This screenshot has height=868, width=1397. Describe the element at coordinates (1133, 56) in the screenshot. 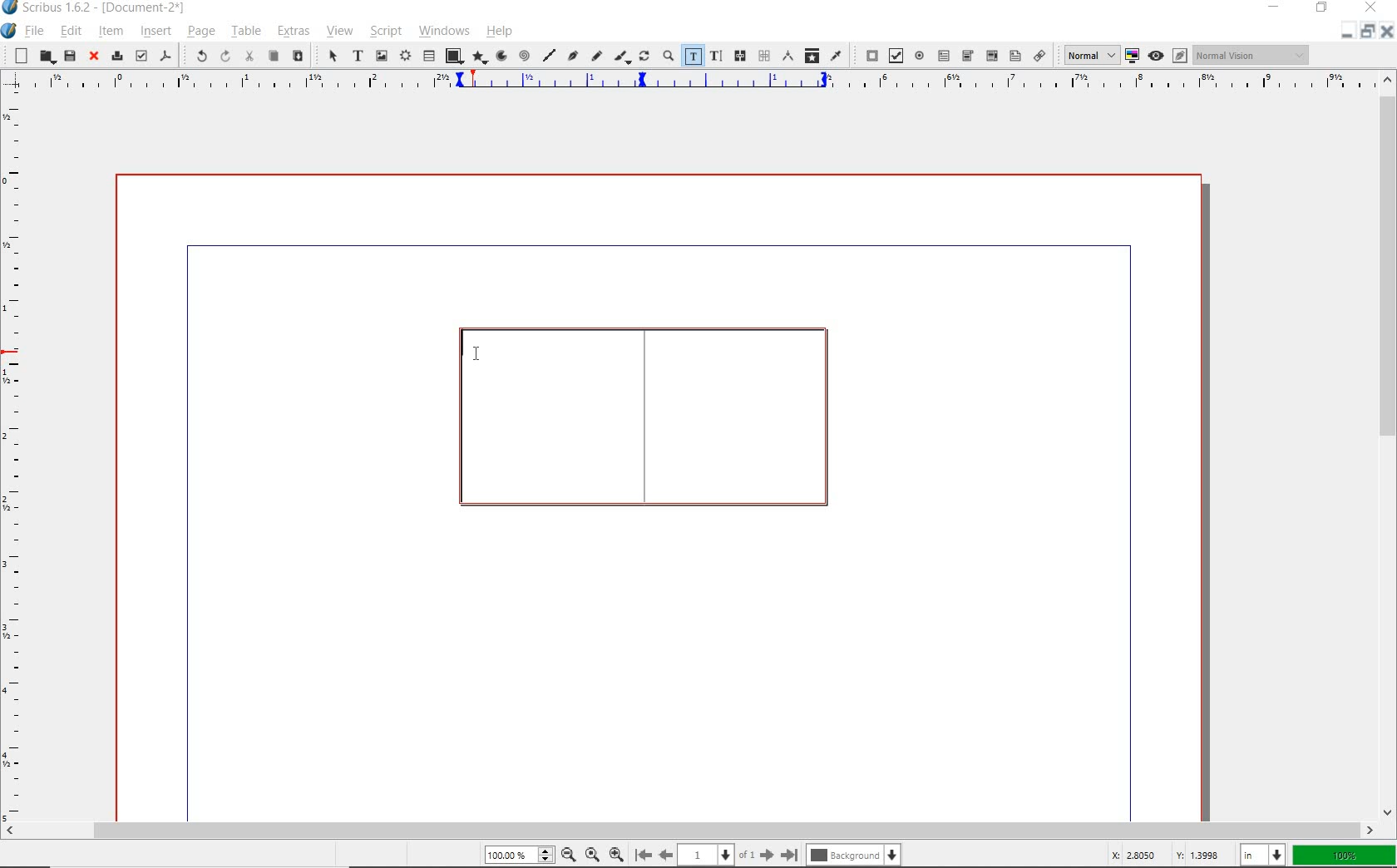

I see `toggle color` at that location.